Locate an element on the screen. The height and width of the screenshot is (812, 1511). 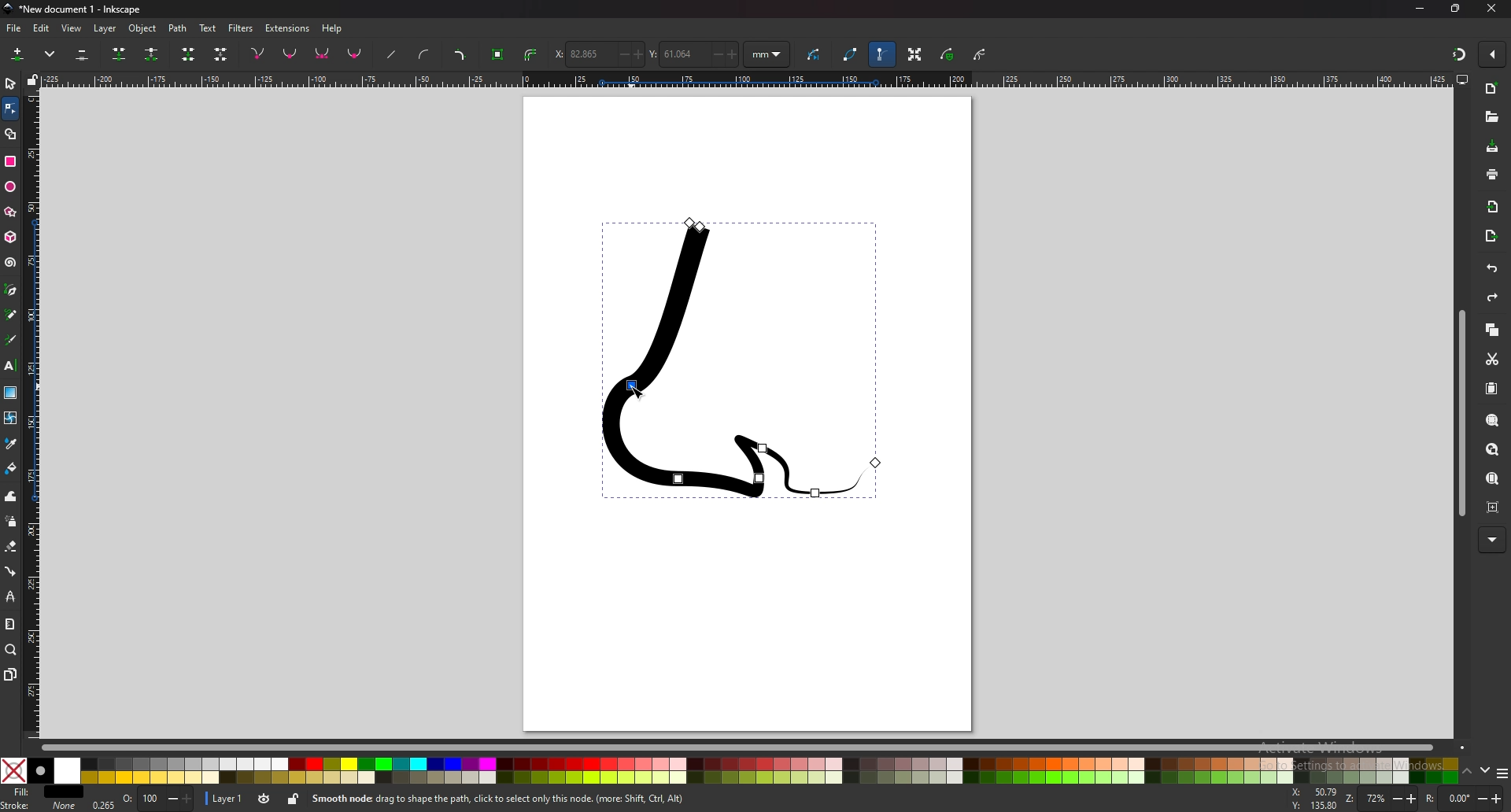
gradient is located at coordinates (10, 393).